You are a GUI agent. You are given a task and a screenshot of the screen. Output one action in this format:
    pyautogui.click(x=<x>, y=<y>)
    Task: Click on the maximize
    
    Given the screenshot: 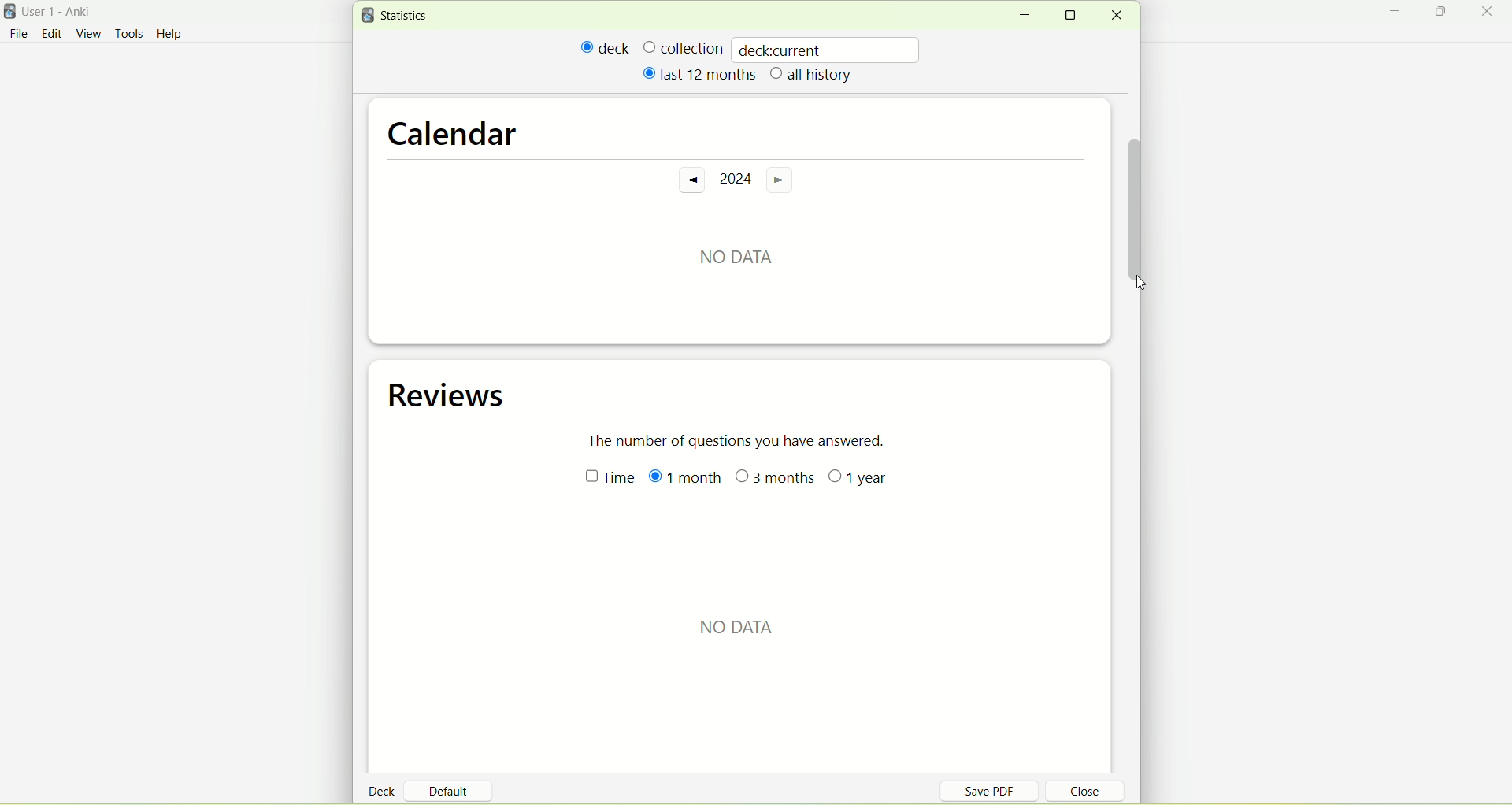 What is the action you would take?
    pyautogui.click(x=1076, y=15)
    